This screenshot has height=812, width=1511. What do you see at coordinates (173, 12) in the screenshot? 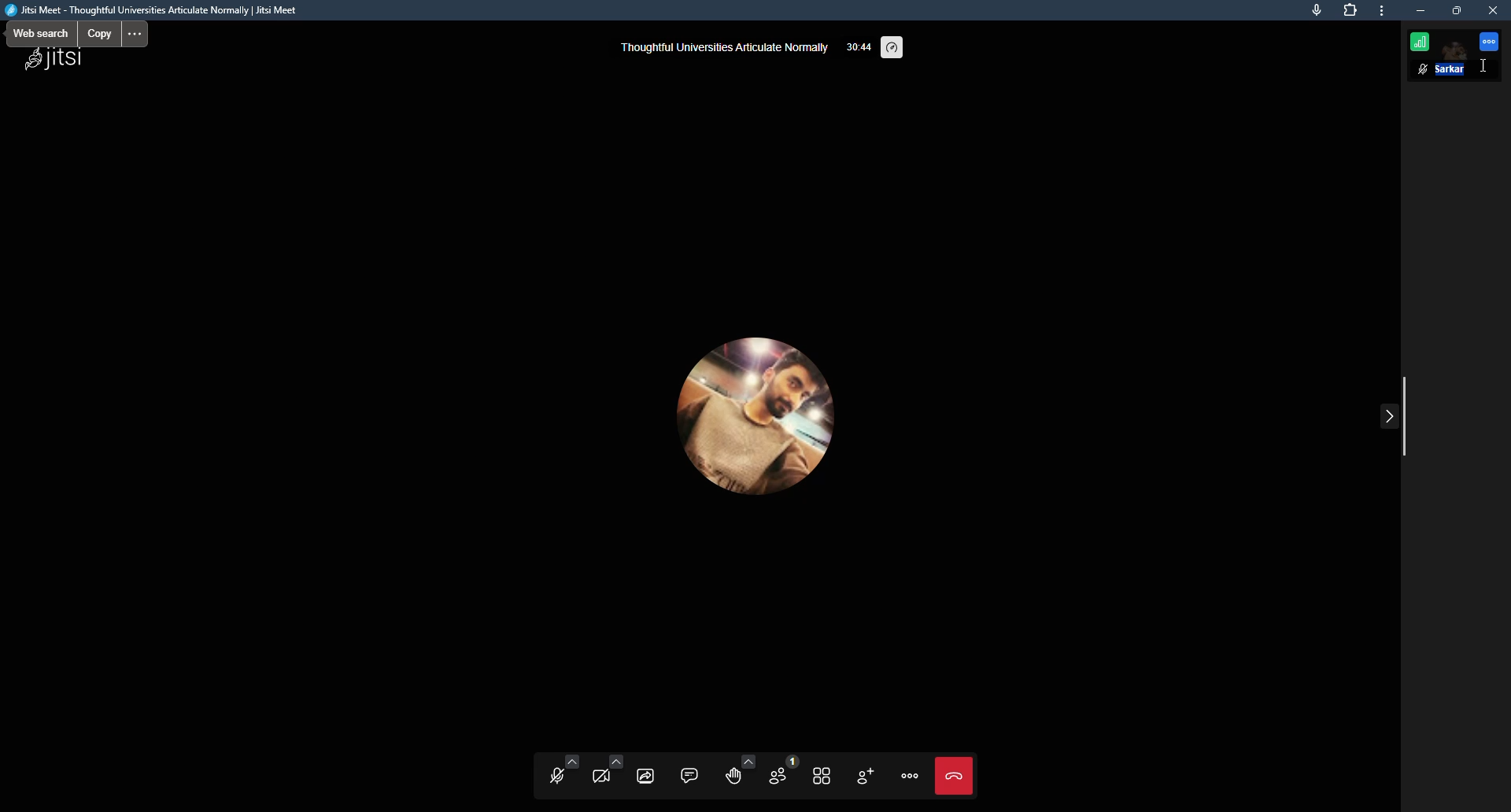
I see `Jitsi Meet - Thoughtful Universities Articulate Normally | Jitsi Meet` at bounding box center [173, 12].